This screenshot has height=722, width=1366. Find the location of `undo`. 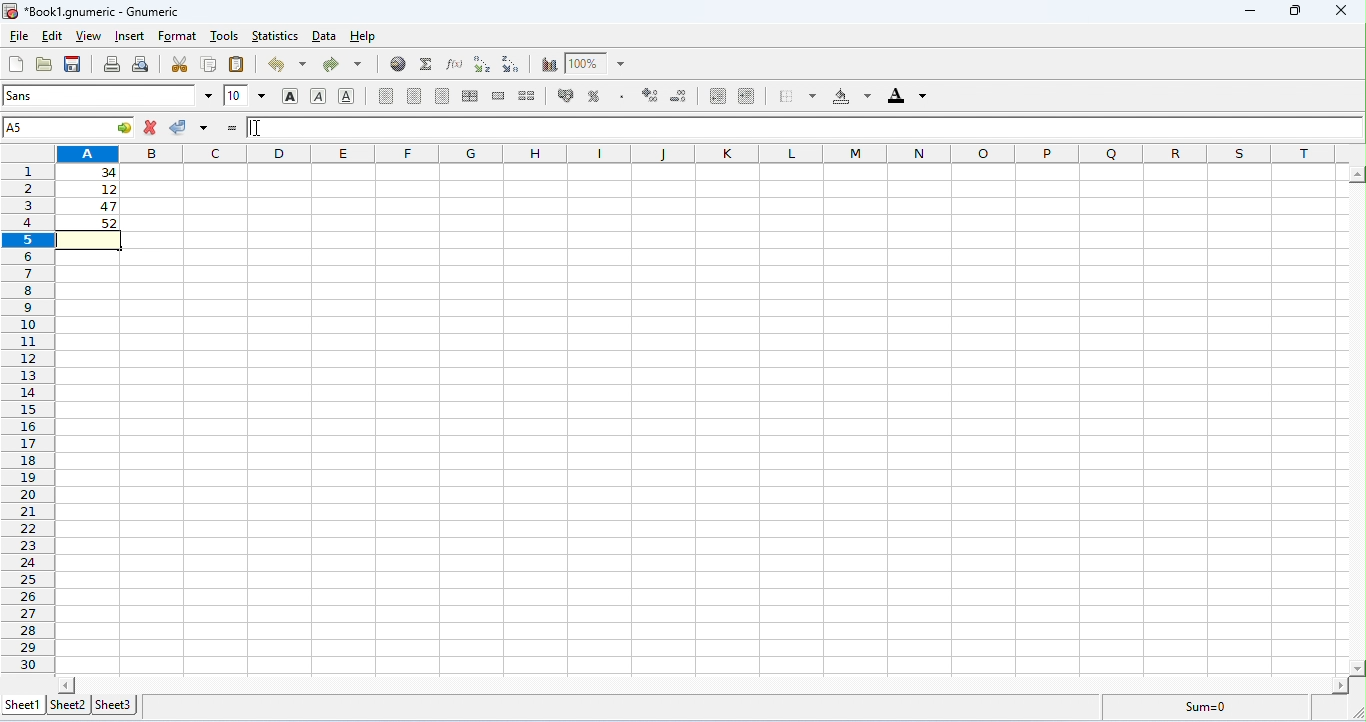

undo is located at coordinates (287, 64).